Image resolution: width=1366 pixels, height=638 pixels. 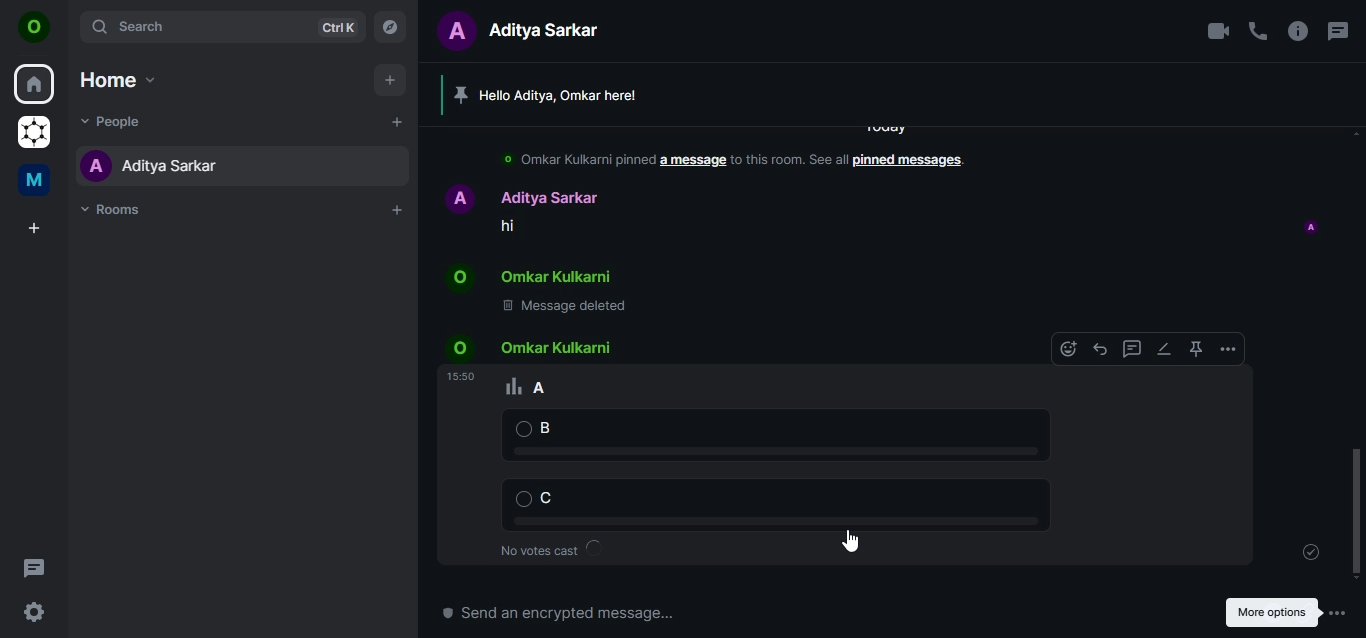 What do you see at coordinates (695, 163) in the screenshot?
I see `a message` at bounding box center [695, 163].